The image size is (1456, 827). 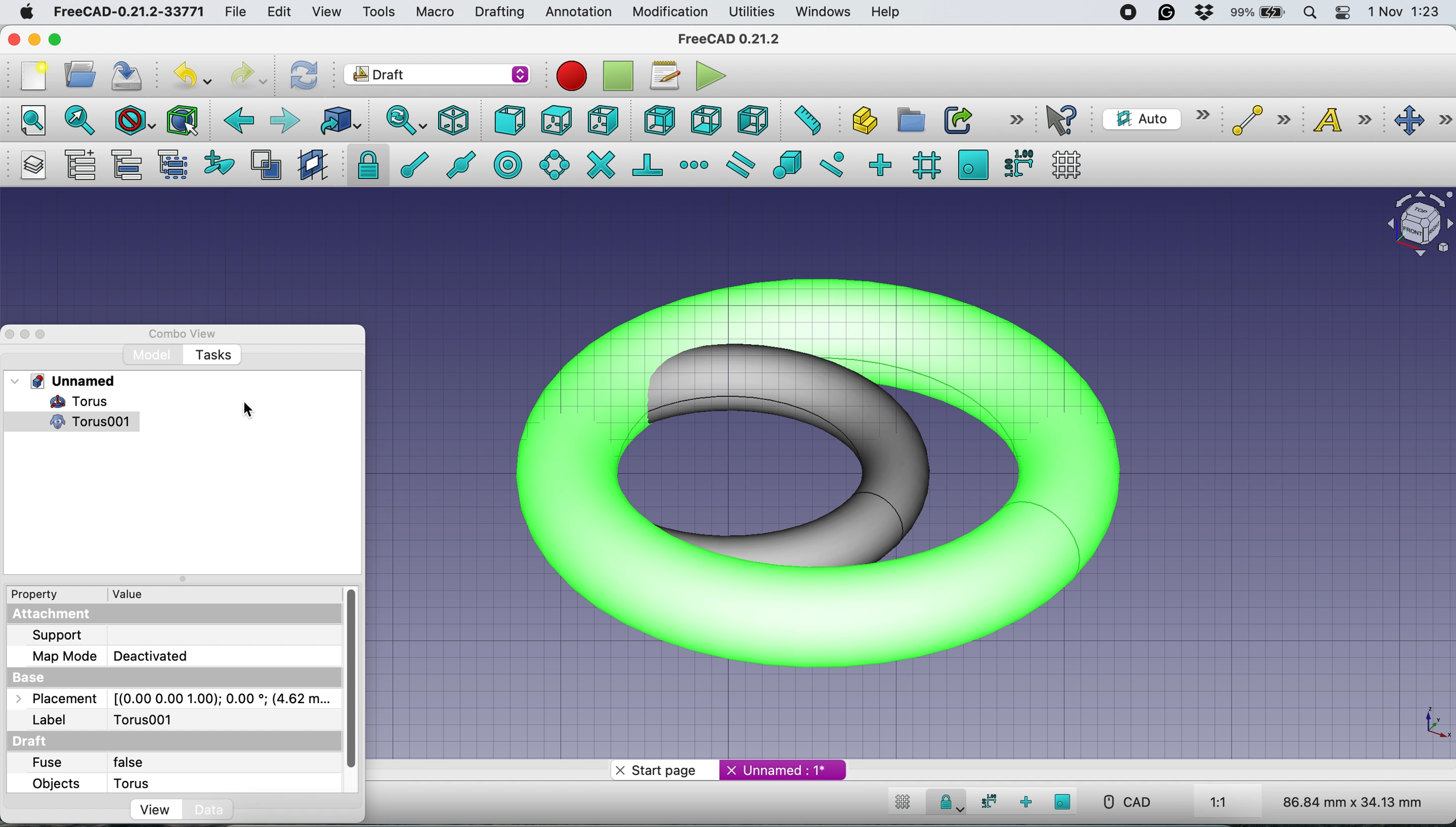 What do you see at coordinates (671, 13) in the screenshot?
I see `modification` at bounding box center [671, 13].